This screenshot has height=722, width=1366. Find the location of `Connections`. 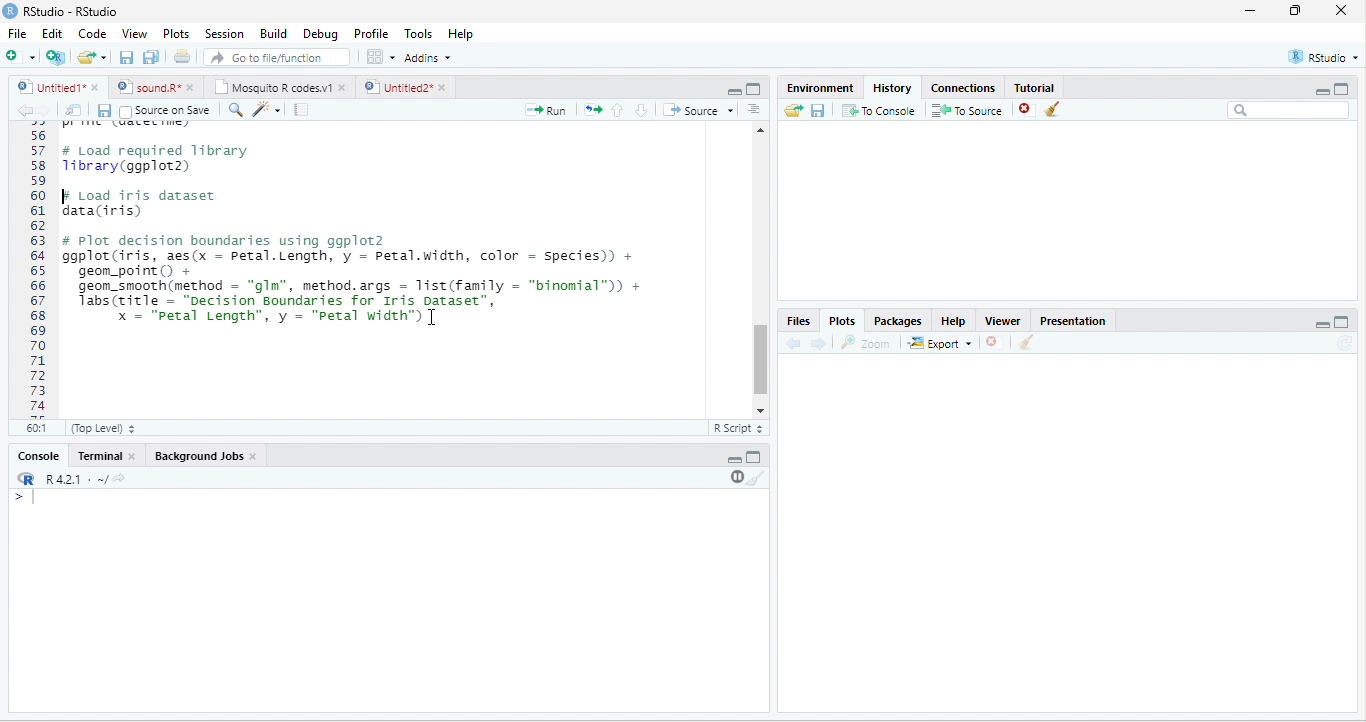

Connections is located at coordinates (962, 88).